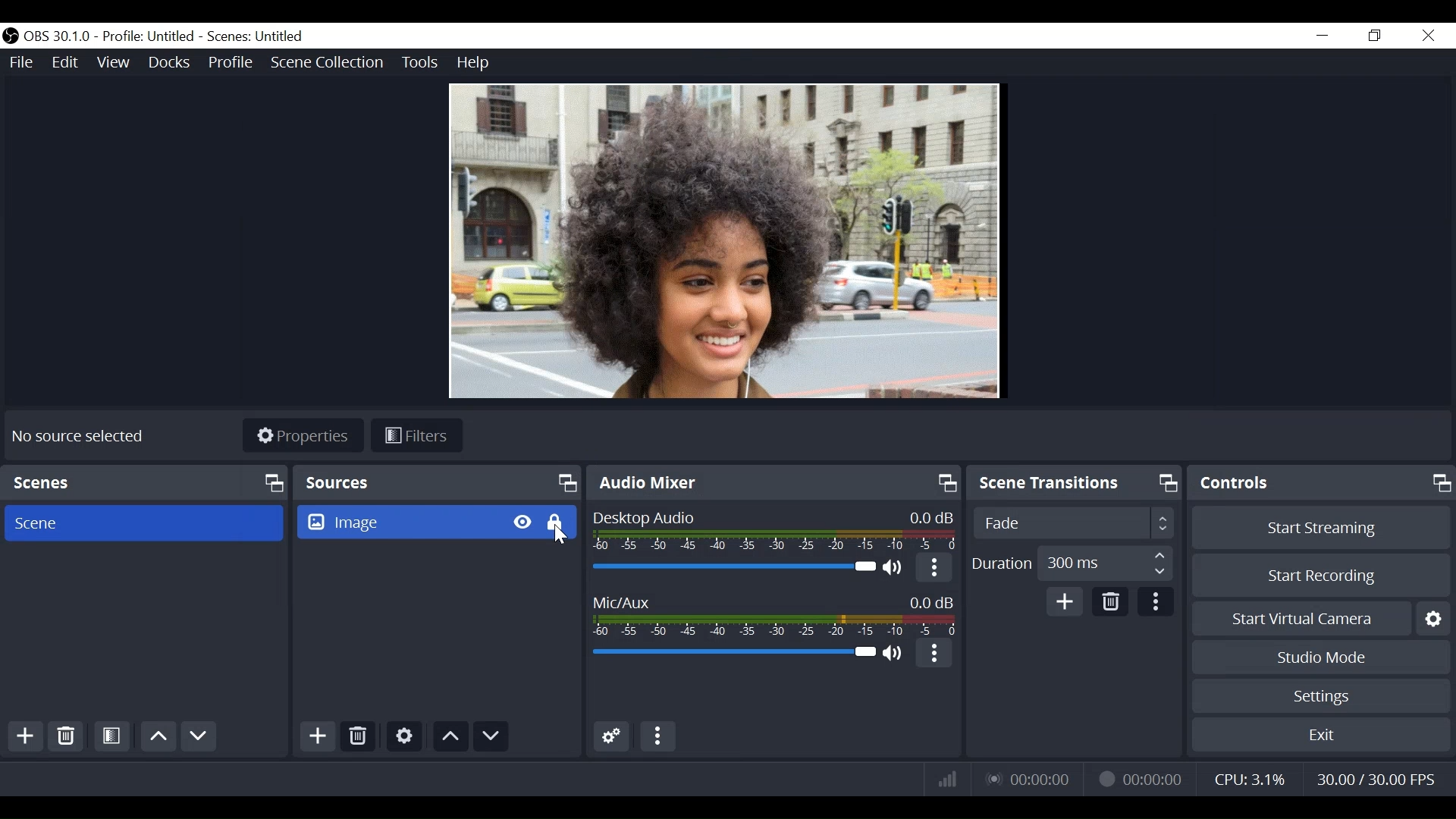 This screenshot has width=1456, height=819. Describe the element at coordinates (1064, 602) in the screenshot. I see `Add ` at that location.